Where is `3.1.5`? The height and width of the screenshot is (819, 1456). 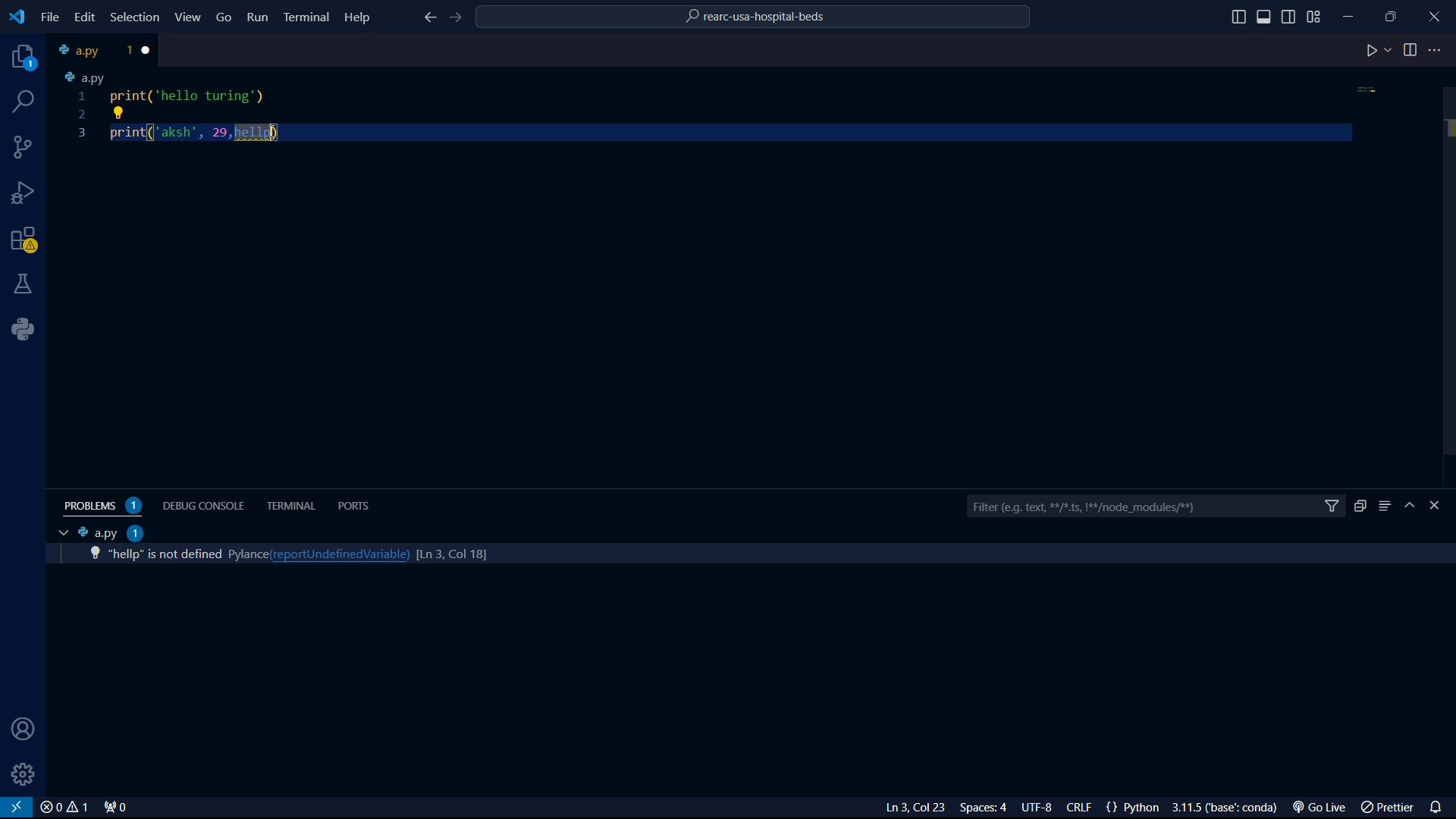
3.1.5 is located at coordinates (1229, 808).